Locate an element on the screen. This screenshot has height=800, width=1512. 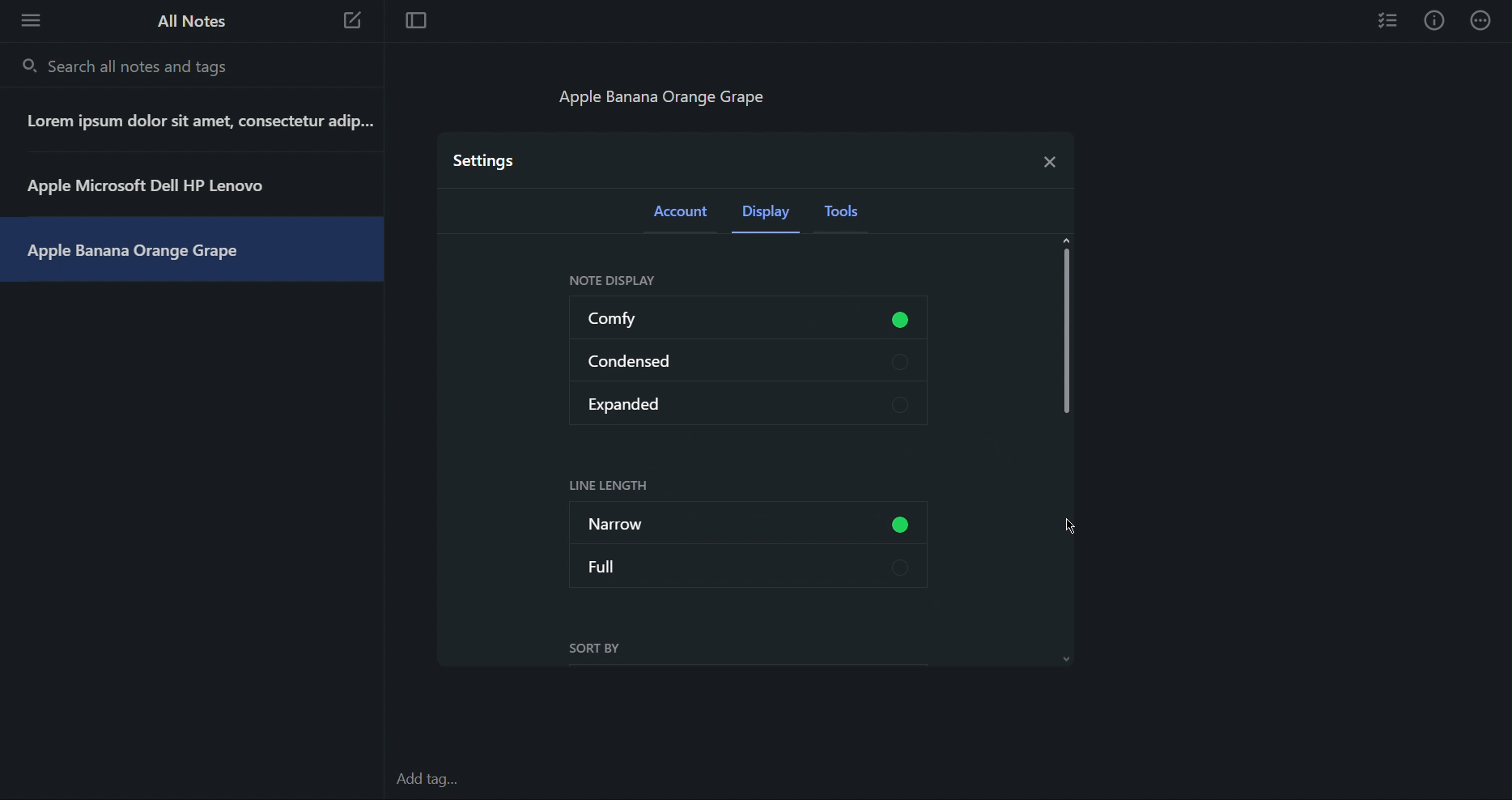
Close is located at coordinates (1047, 158).